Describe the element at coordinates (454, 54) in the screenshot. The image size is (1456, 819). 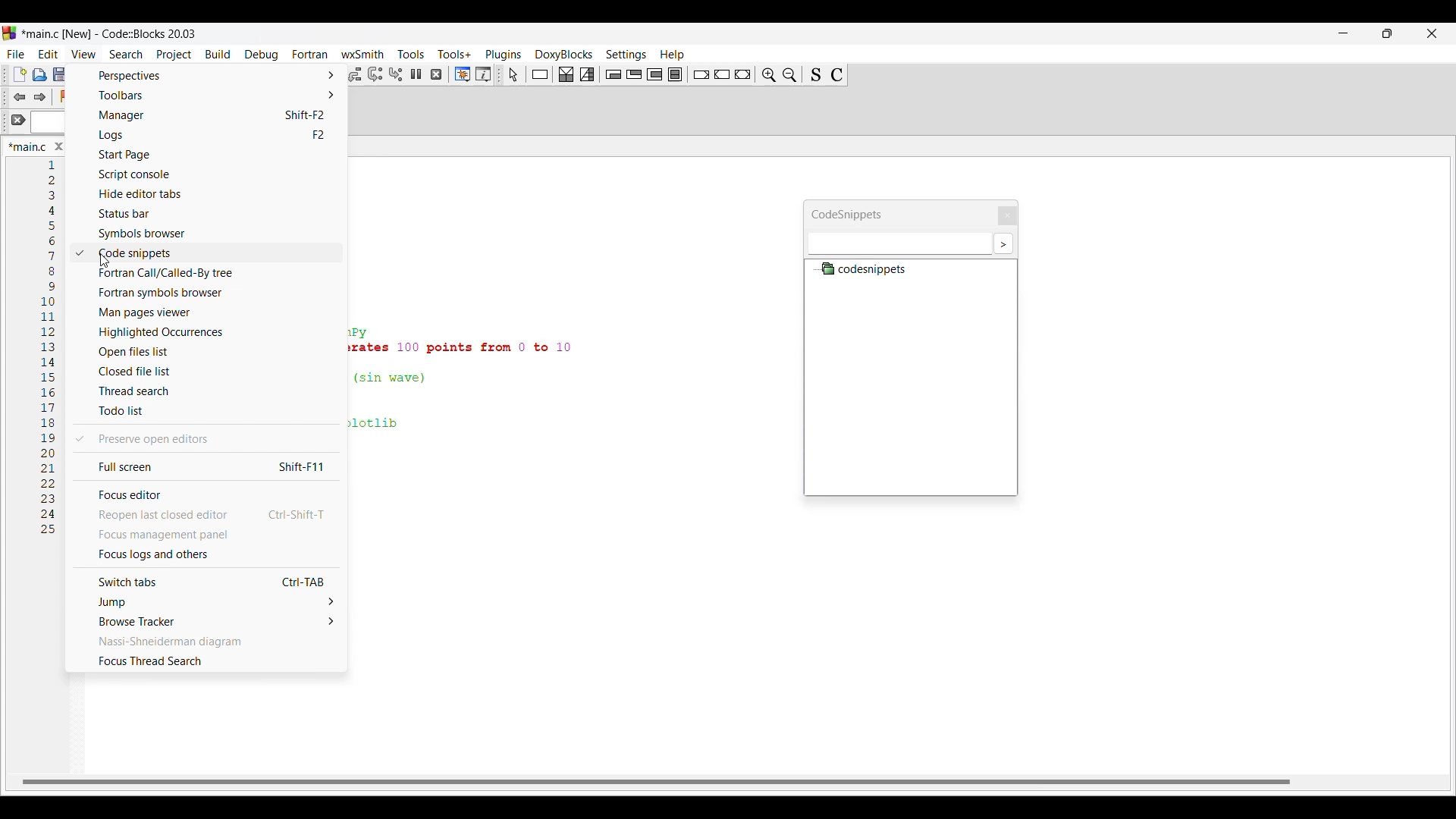
I see `Tools+ menu` at that location.